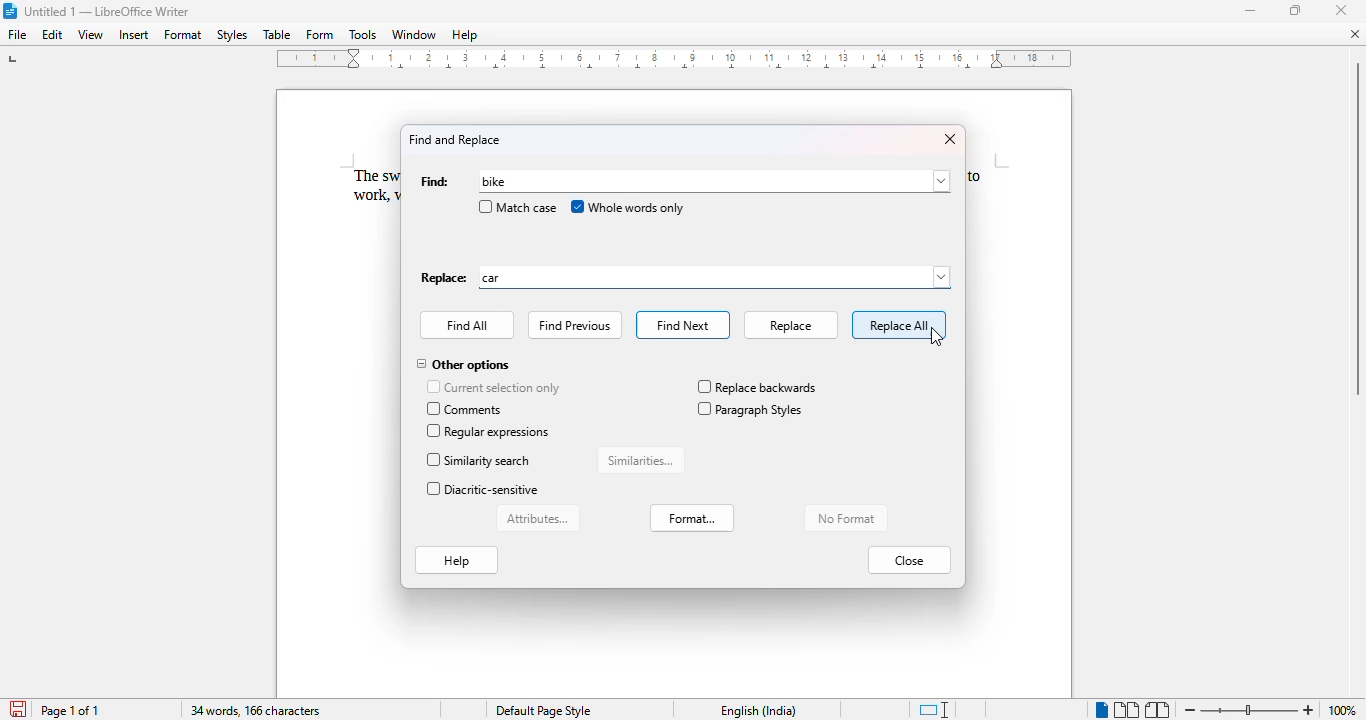 The width and height of the screenshot is (1366, 720). What do you see at coordinates (413, 35) in the screenshot?
I see `window` at bounding box center [413, 35].